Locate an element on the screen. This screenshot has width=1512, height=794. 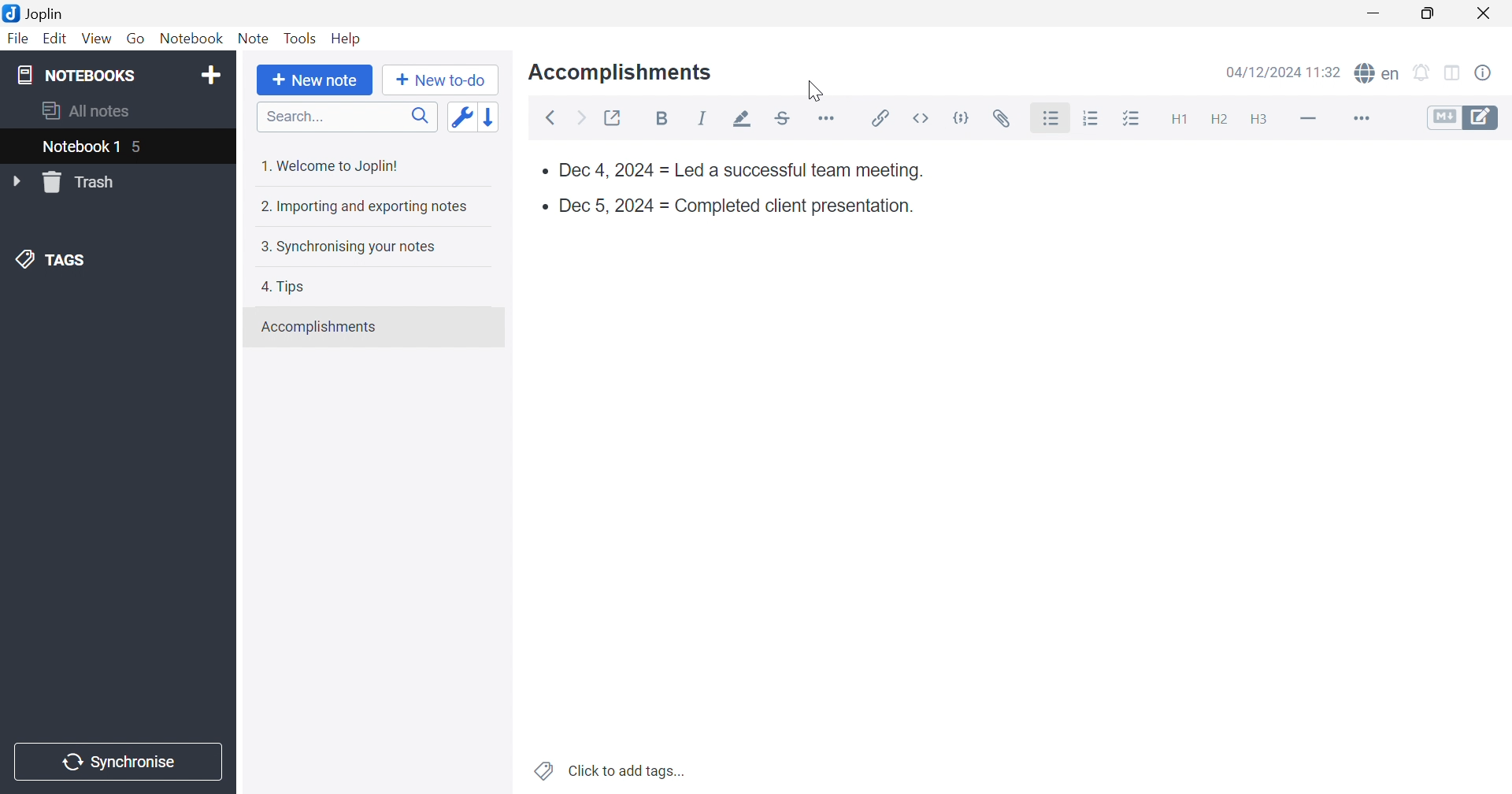
04/12/2024 11:30 is located at coordinates (1283, 71).